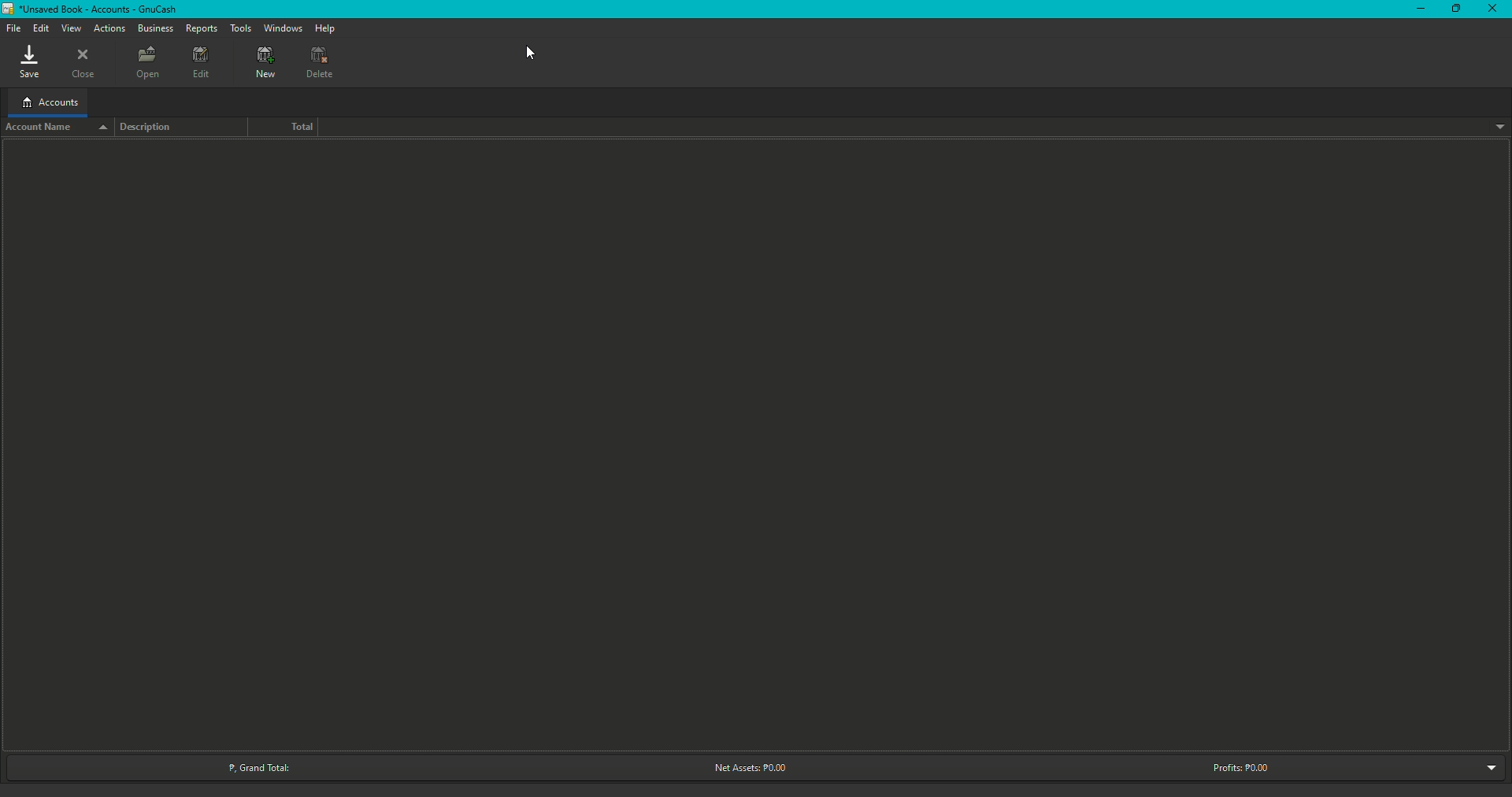 The height and width of the screenshot is (797, 1512). Describe the element at coordinates (749, 766) in the screenshot. I see `Net Assets` at that location.